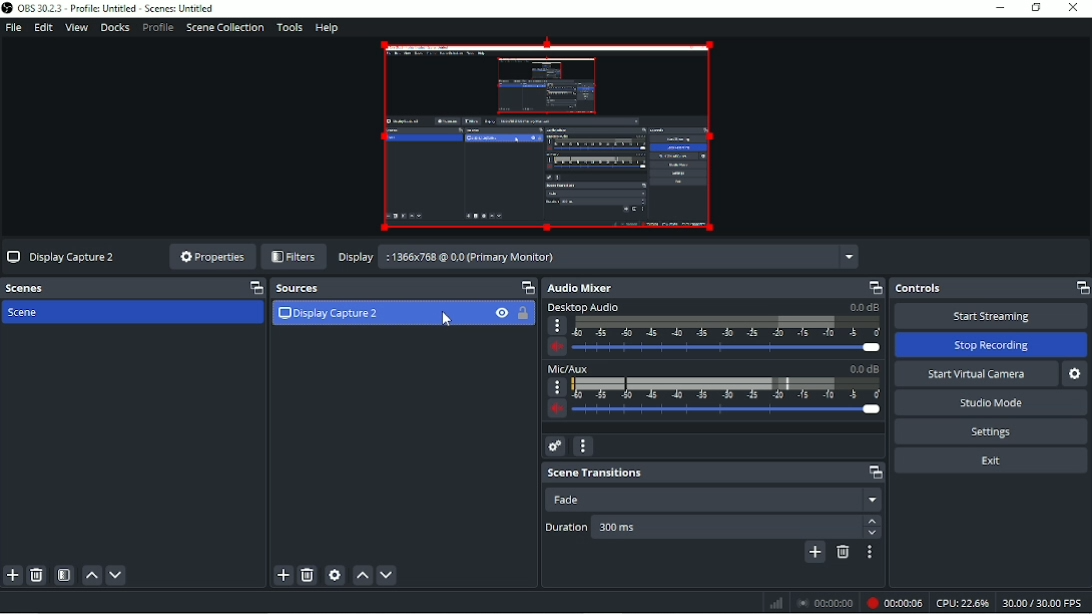 The image size is (1092, 614). I want to click on Advanced audio properties, so click(554, 447).